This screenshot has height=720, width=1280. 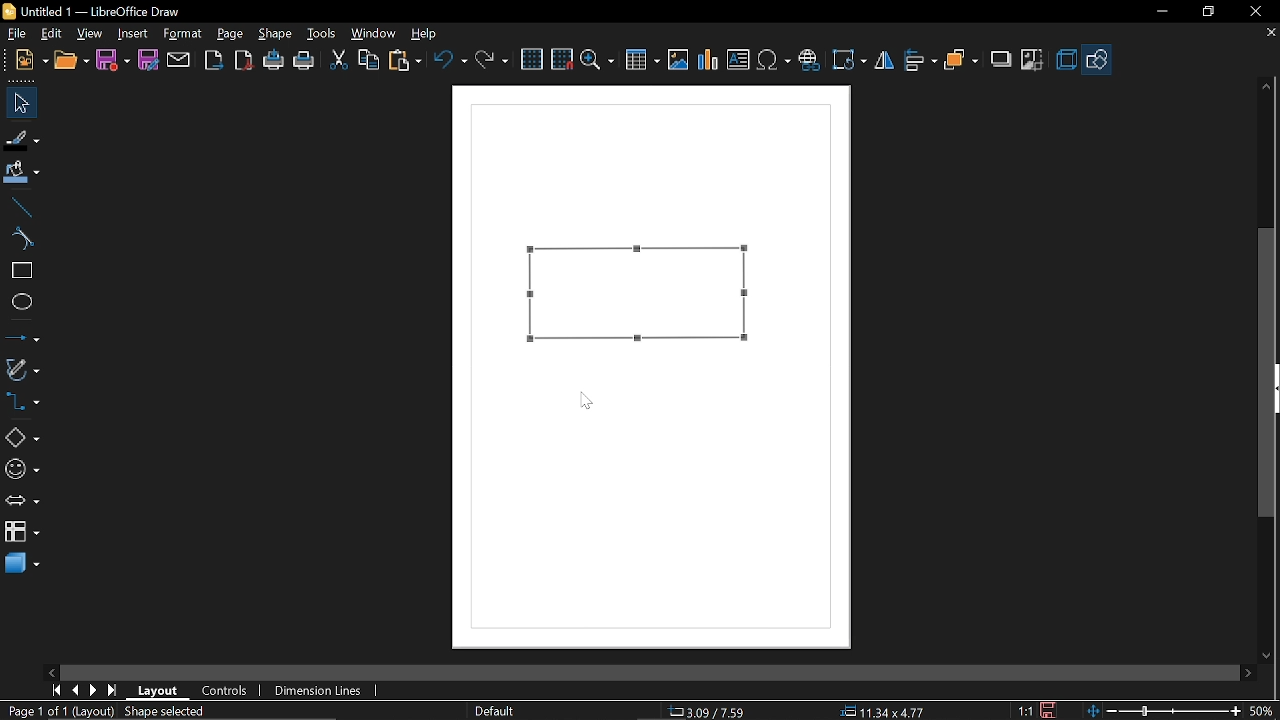 What do you see at coordinates (370, 60) in the screenshot?
I see `copy` at bounding box center [370, 60].